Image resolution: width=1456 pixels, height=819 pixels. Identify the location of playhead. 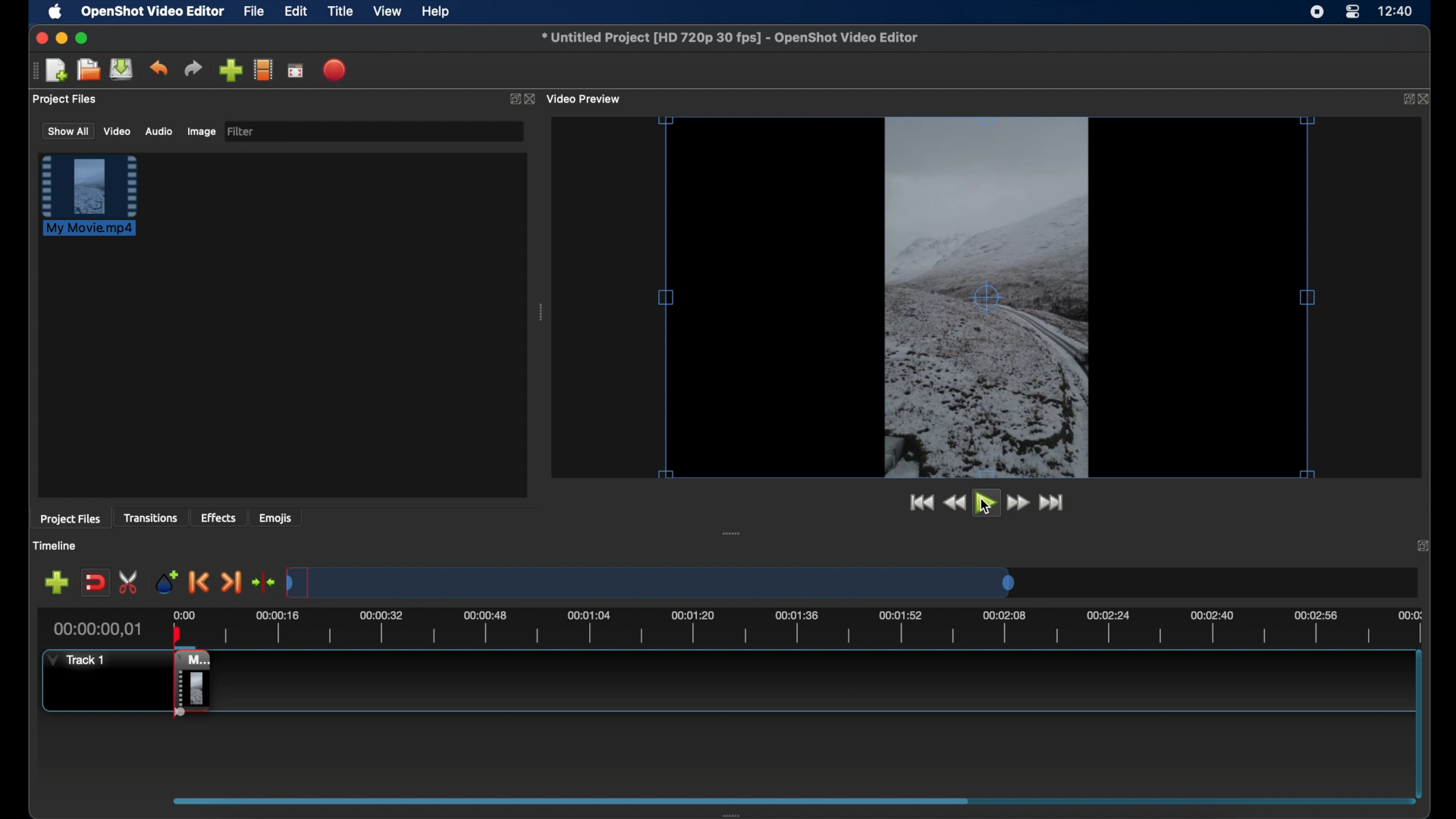
(176, 631).